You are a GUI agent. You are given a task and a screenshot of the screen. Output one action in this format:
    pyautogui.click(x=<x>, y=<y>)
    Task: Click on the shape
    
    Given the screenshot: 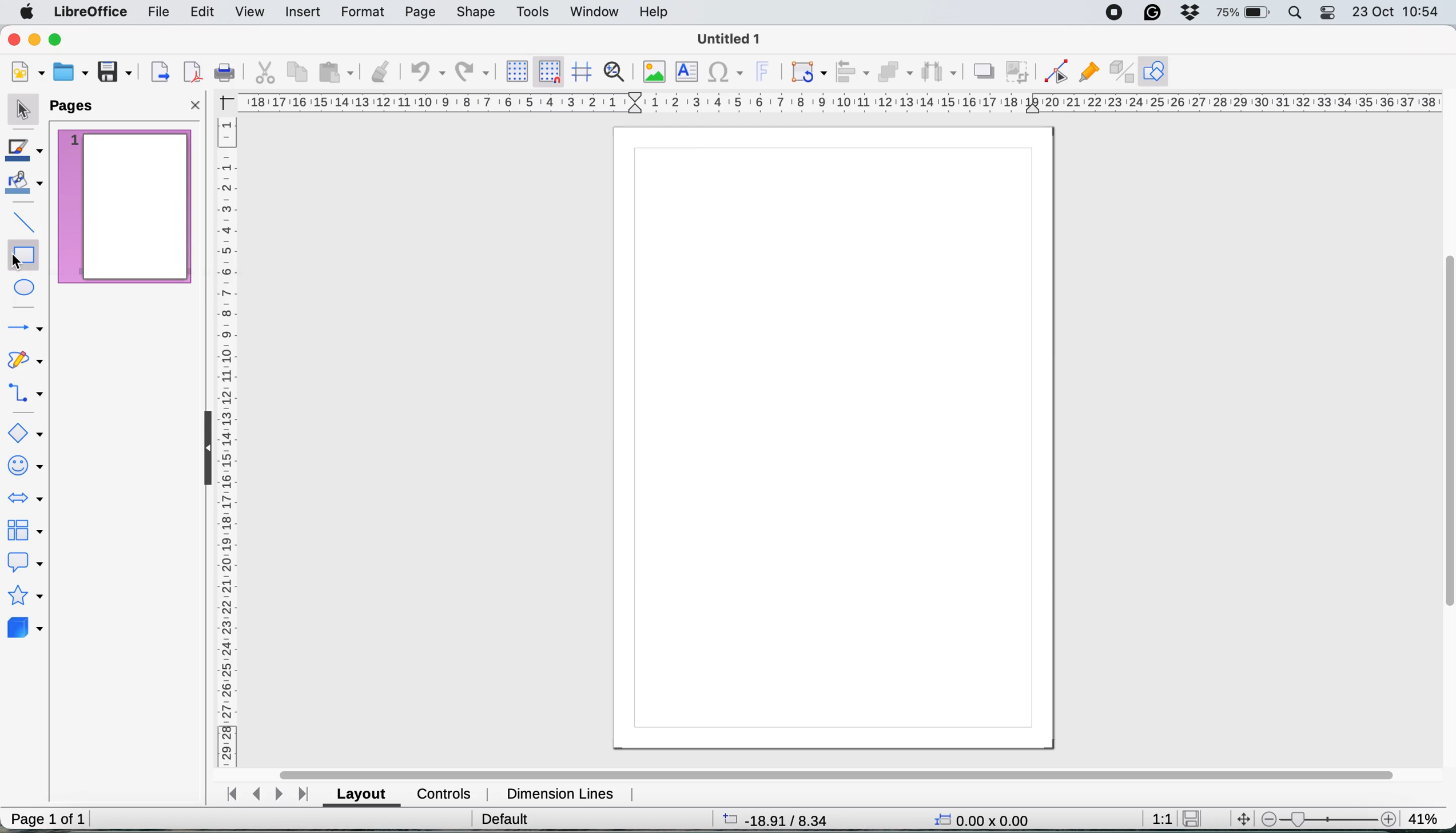 What is the action you would take?
    pyautogui.click(x=477, y=13)
    